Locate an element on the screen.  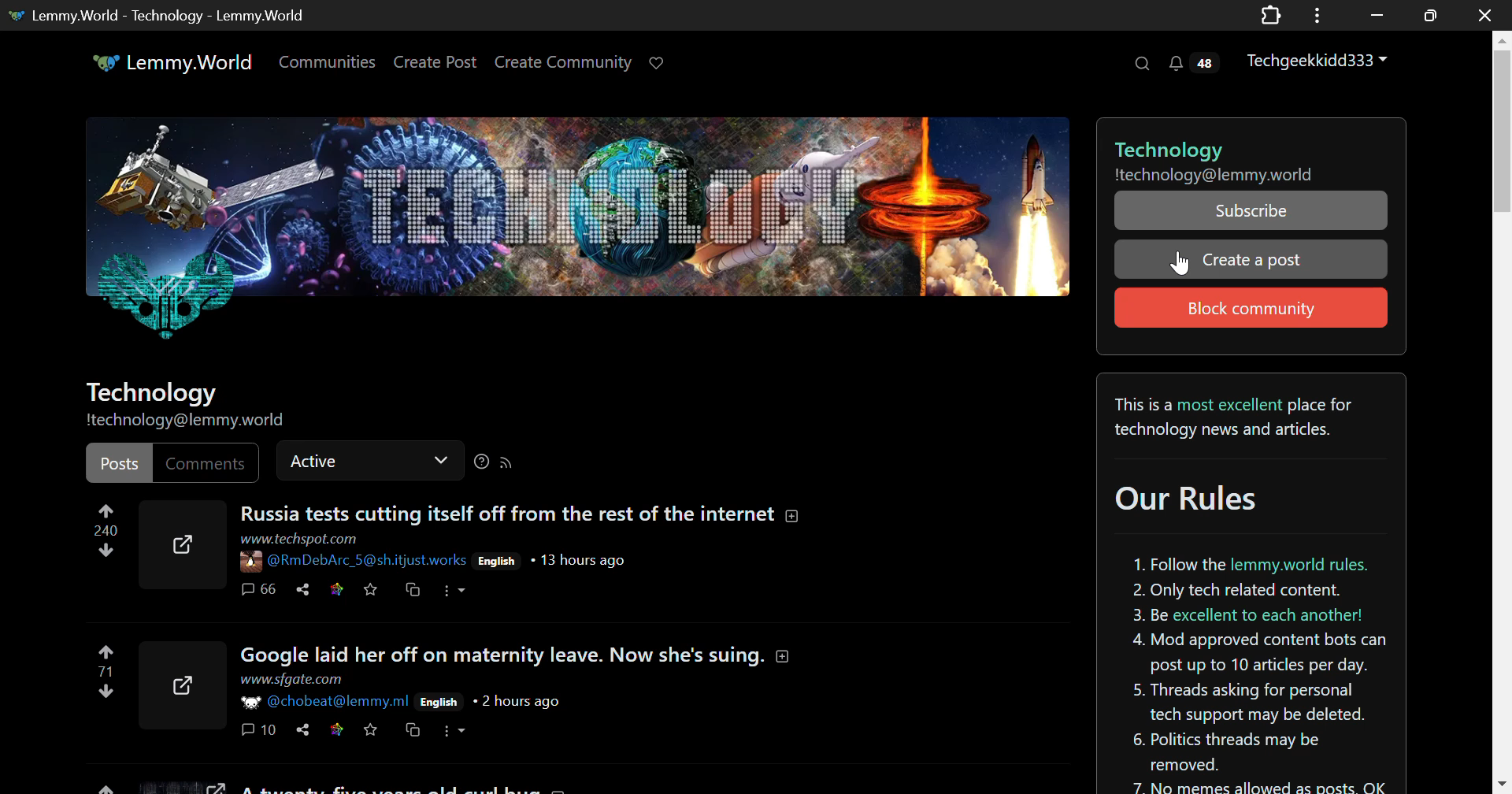
English is located at coordinates (438, 703).